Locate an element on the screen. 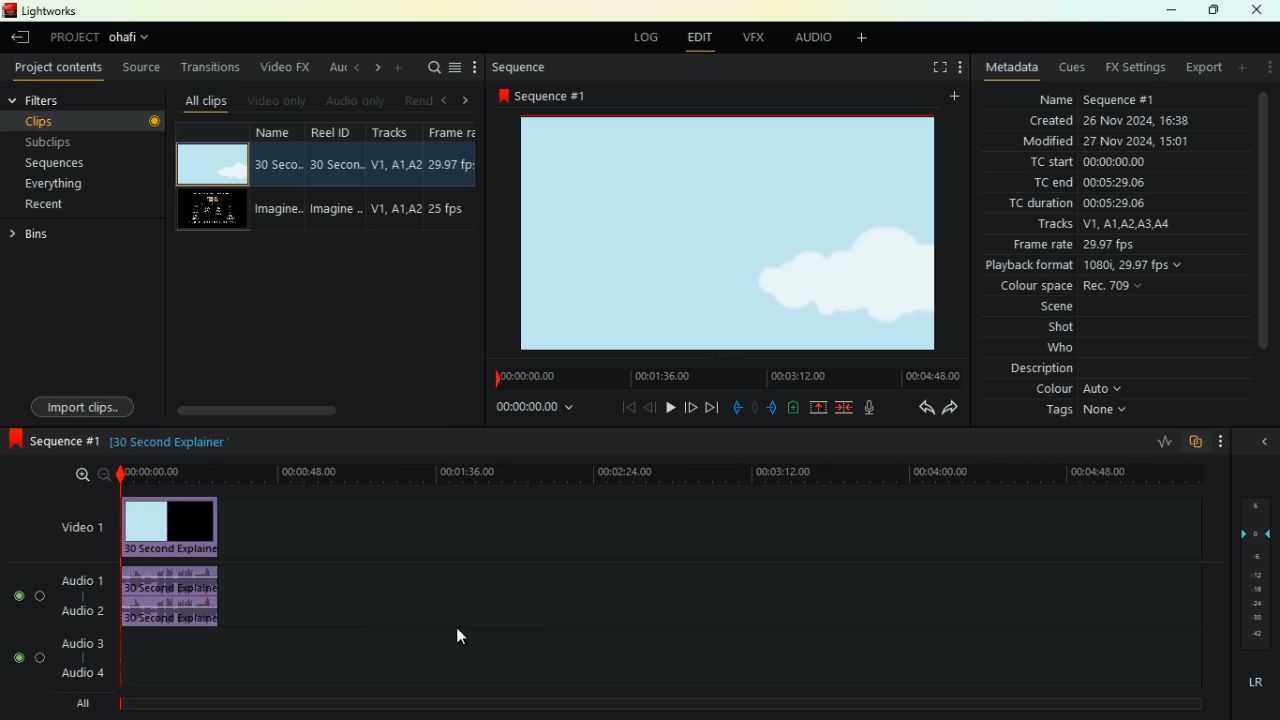  fps is located at coordinates (458, 176).